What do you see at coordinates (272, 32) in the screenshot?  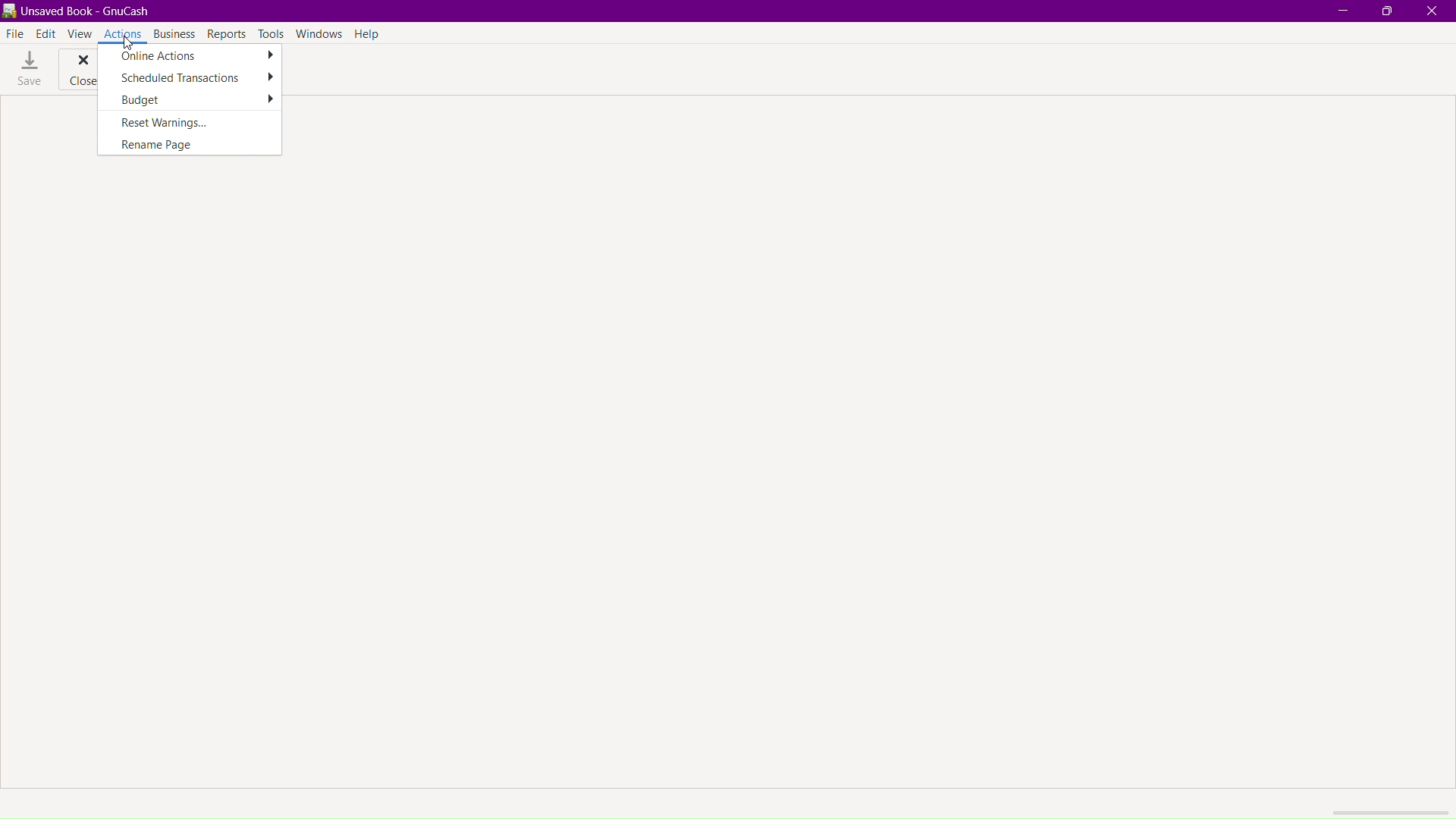 I see `Tools` at bounding box center [272, 32].